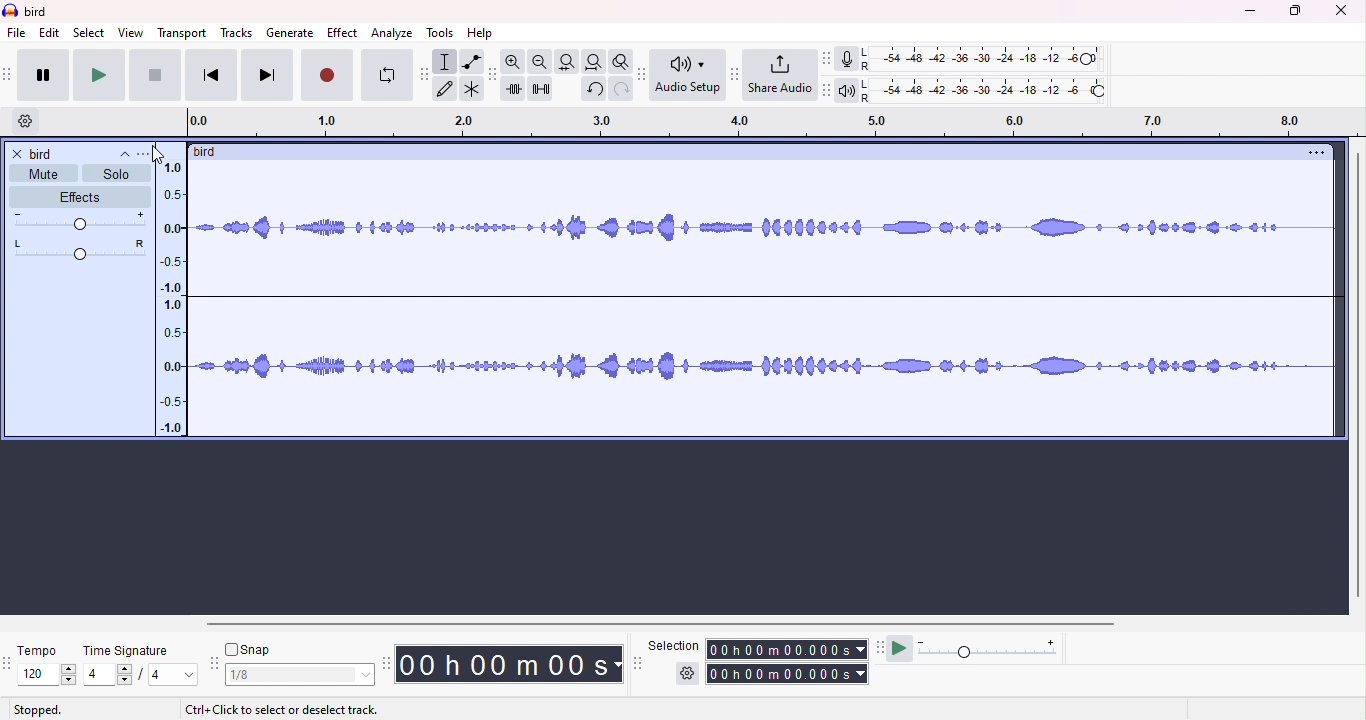 This screenshot has height=720, width=1366. What do you see at coordinates (390, 32) in the screenshot?
I see `analyze` at bounding box center [390, 32].